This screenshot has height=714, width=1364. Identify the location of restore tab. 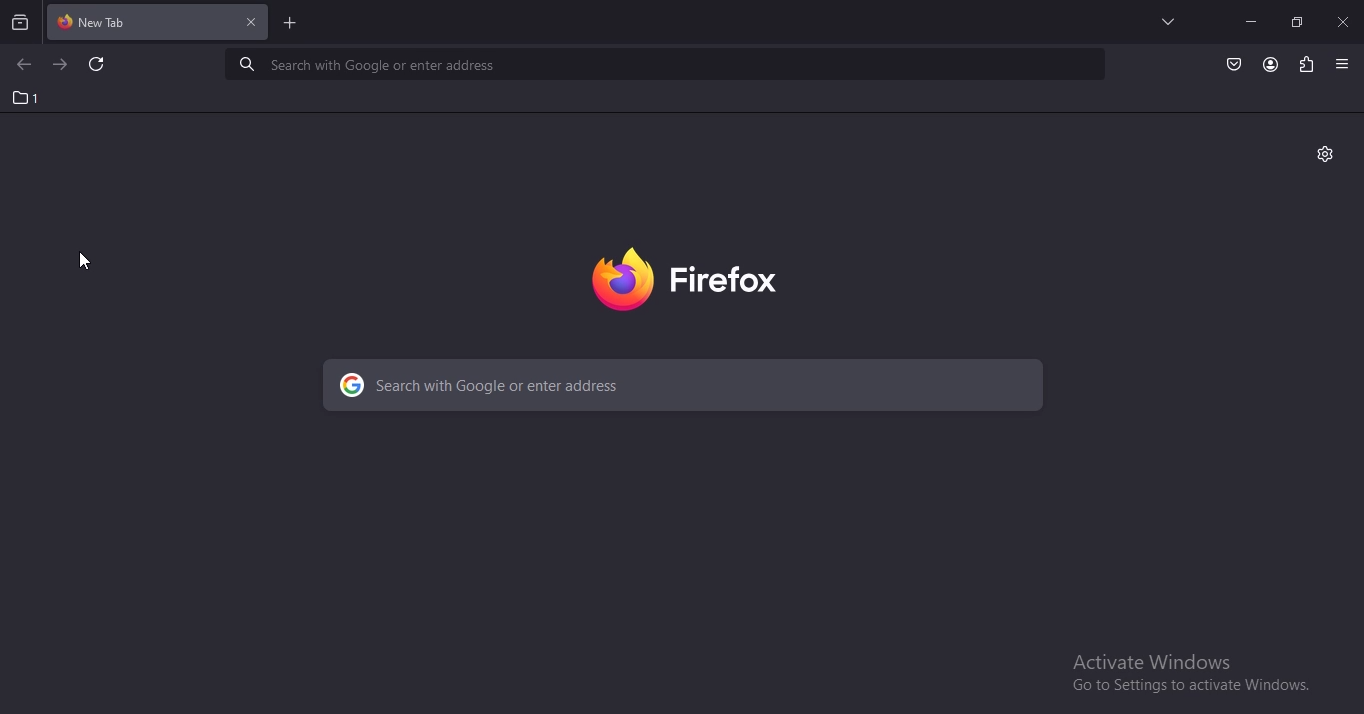
(1296, 21).